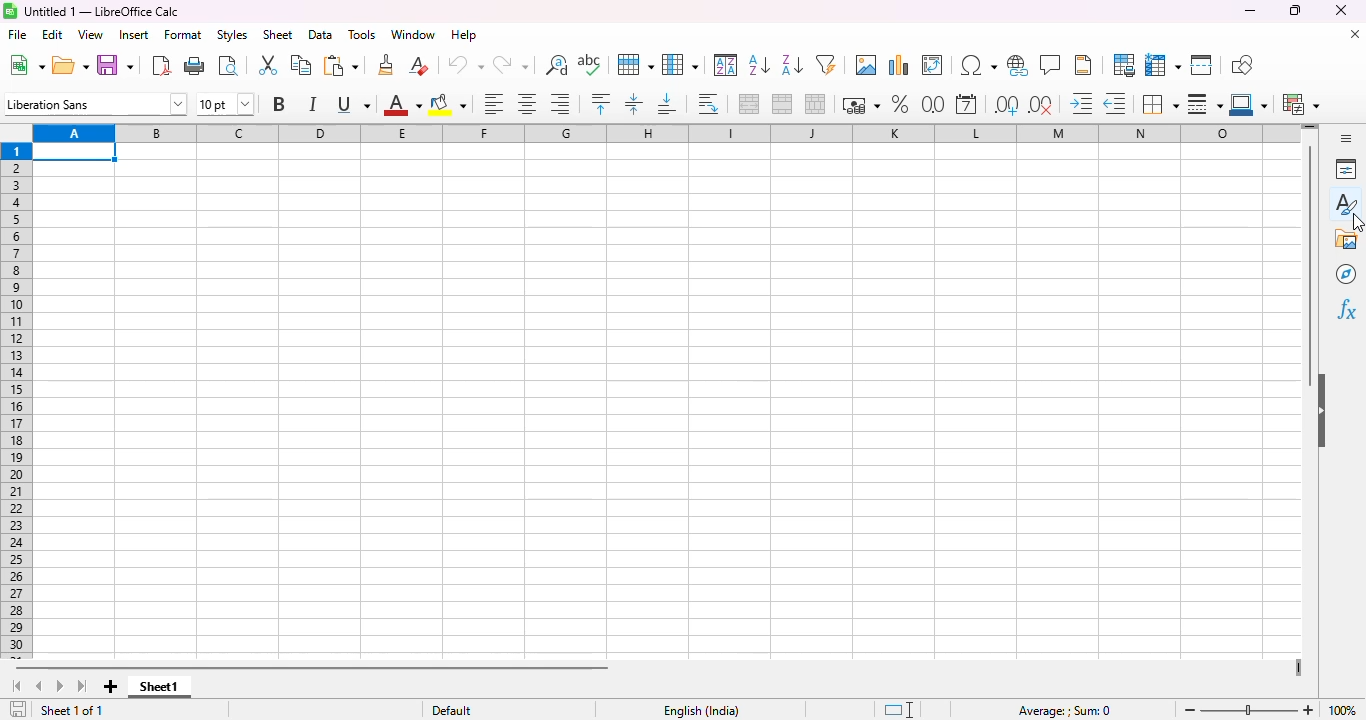 This screenshot has width=1366, height=720. What do you see at coordinates (1250, 10) in the screenshot?
I see `minimize` at bounding box center [1250, 10].